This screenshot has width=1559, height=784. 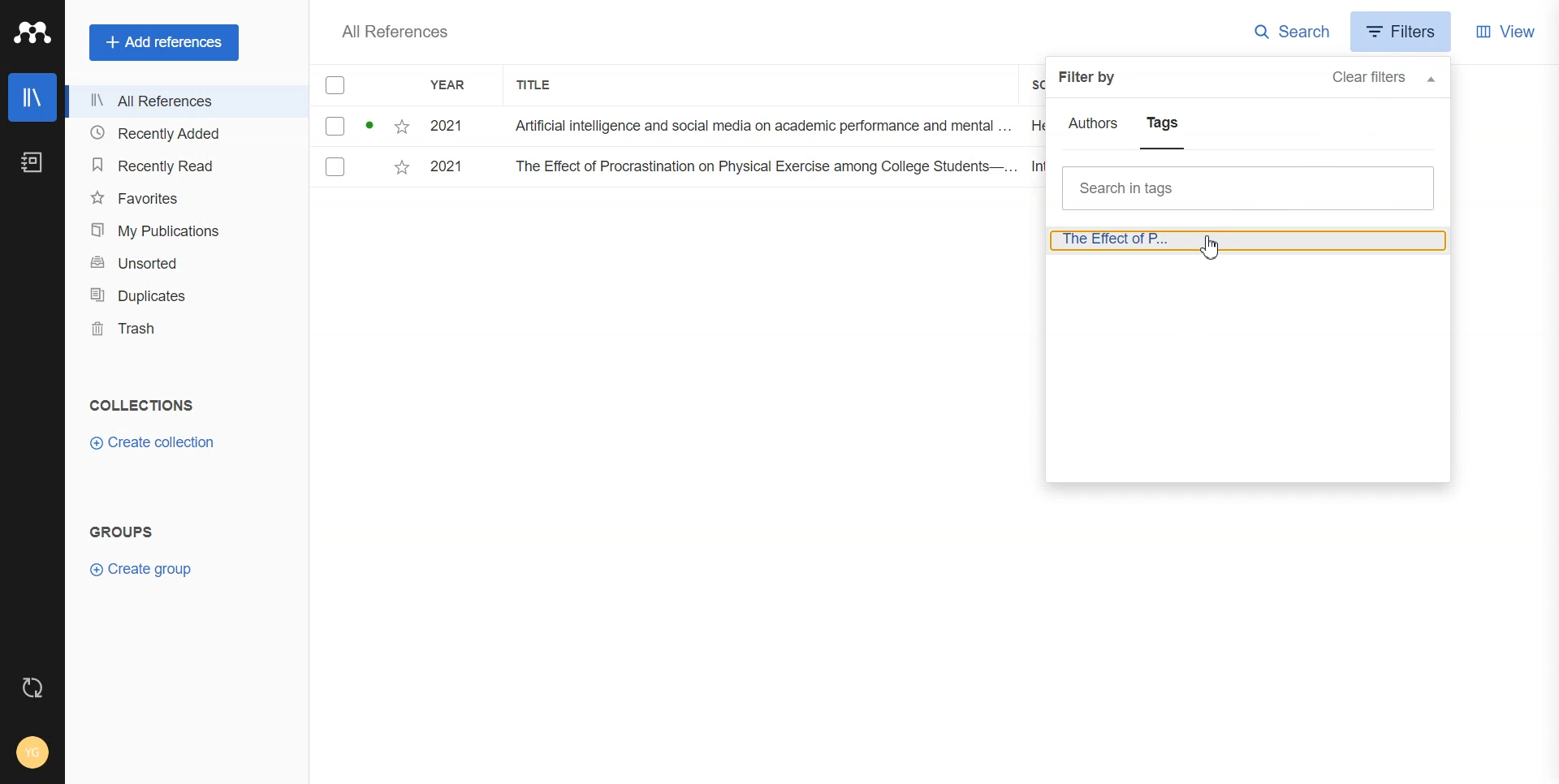 What do you see at coordinates (1249, 239) in the screenshot?
I see `Journal article` at bounding box center [1249, 239].